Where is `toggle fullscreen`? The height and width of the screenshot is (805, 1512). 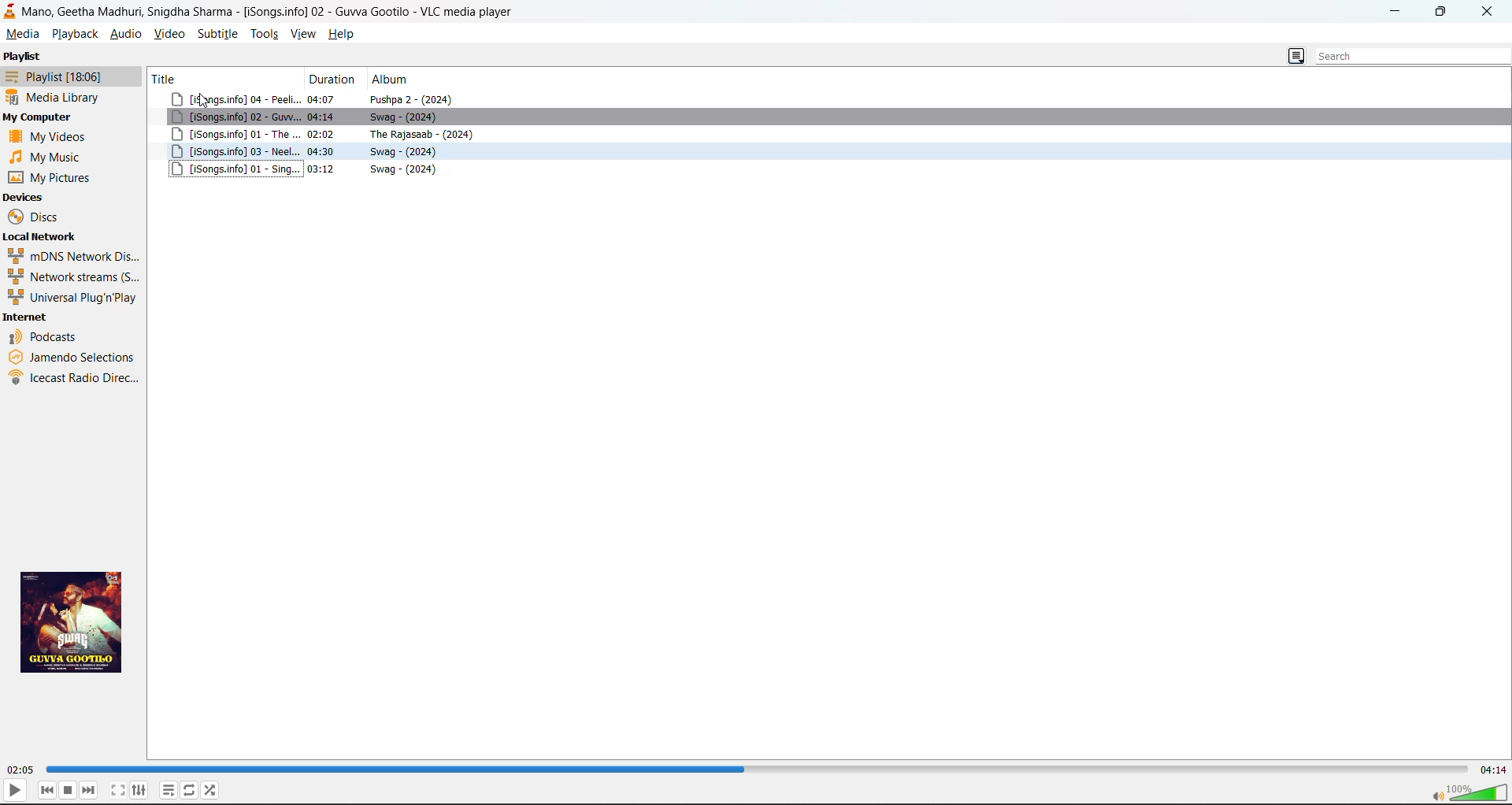 toggle fullscreen is located at coordinates (118, 790).